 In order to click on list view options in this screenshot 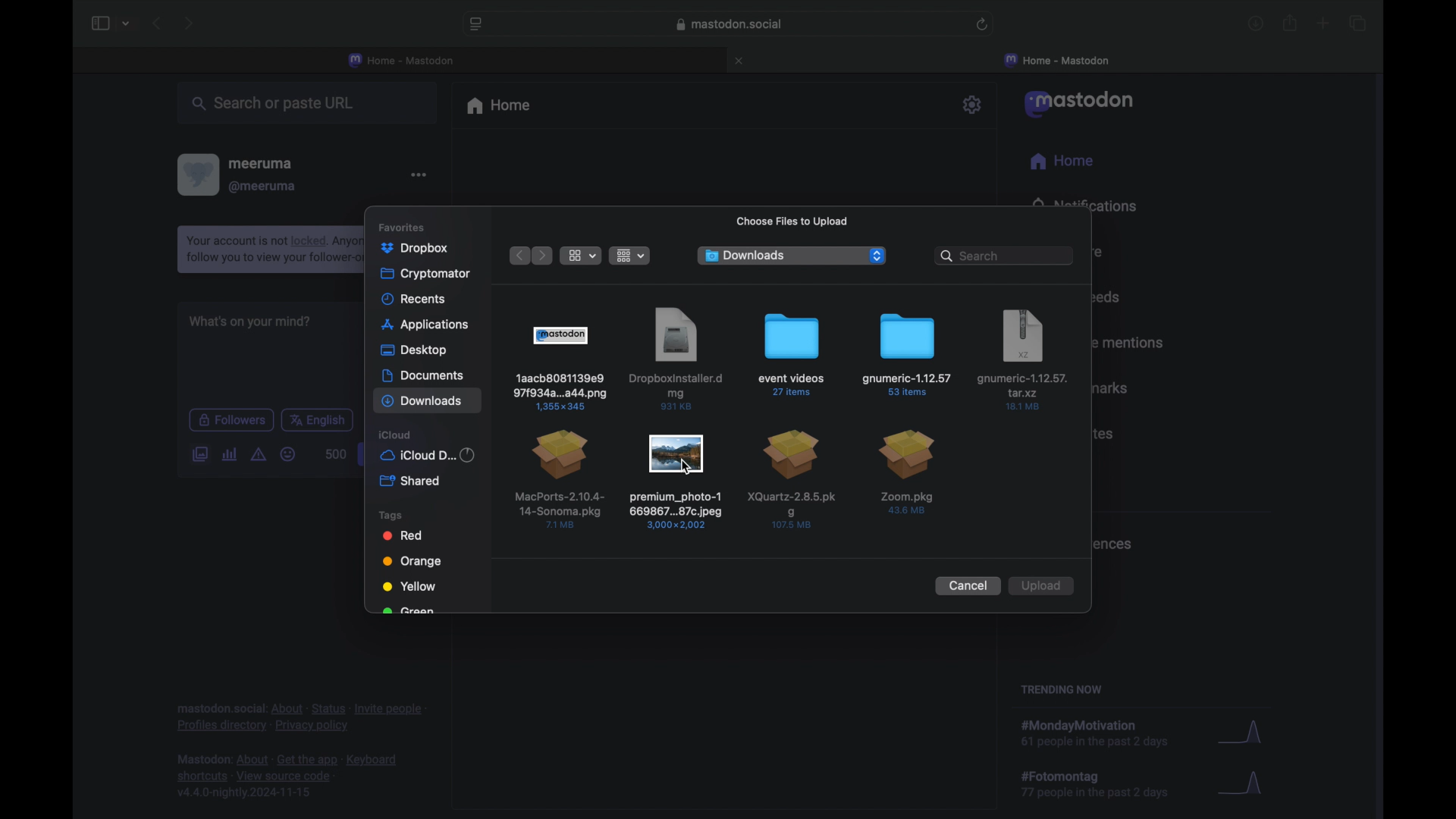, I will do `click(581, 256)`.